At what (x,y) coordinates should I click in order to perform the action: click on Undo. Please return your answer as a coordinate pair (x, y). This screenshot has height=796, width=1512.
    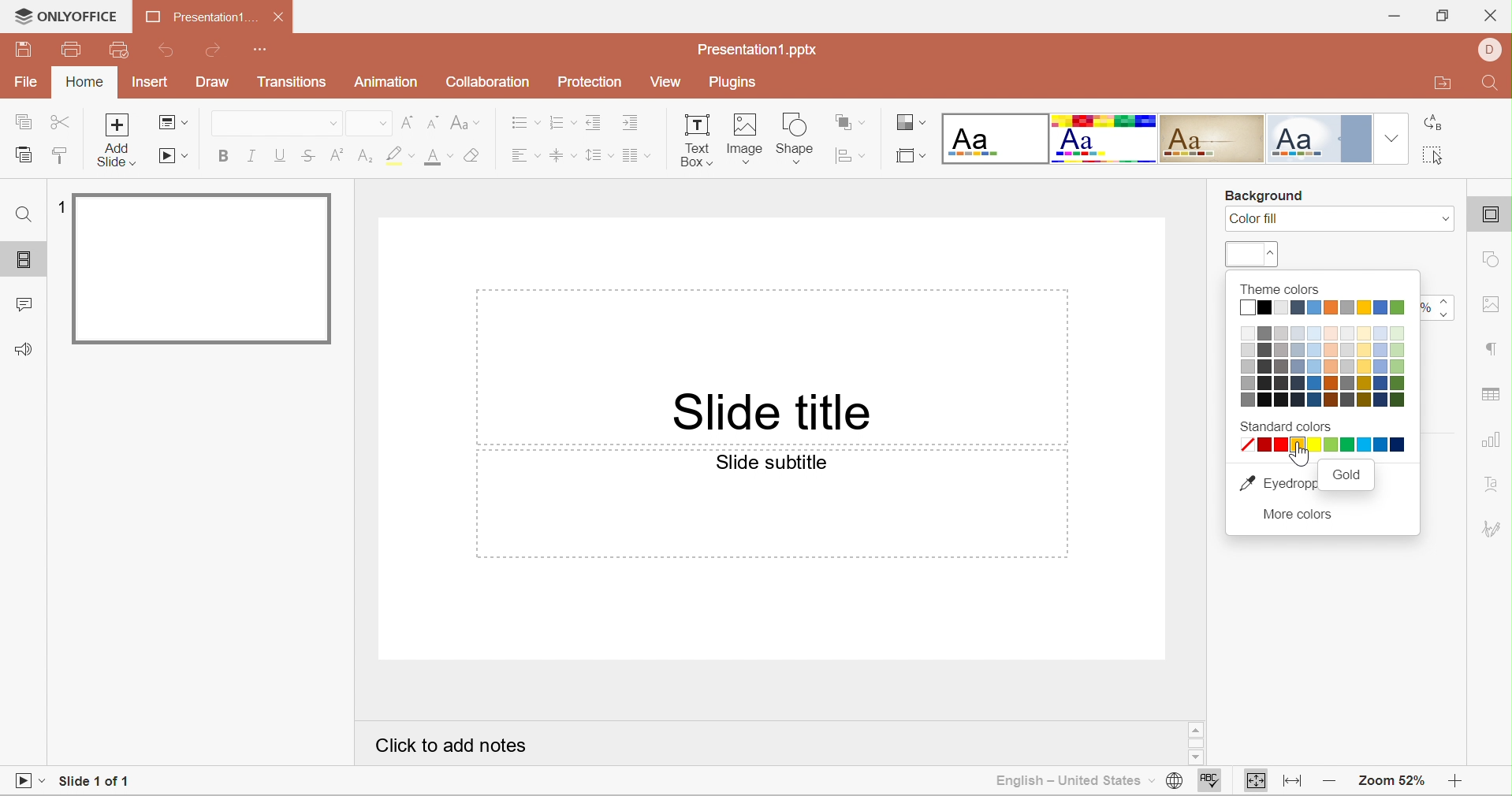
    Looking at the image, I should click on (169, 52).